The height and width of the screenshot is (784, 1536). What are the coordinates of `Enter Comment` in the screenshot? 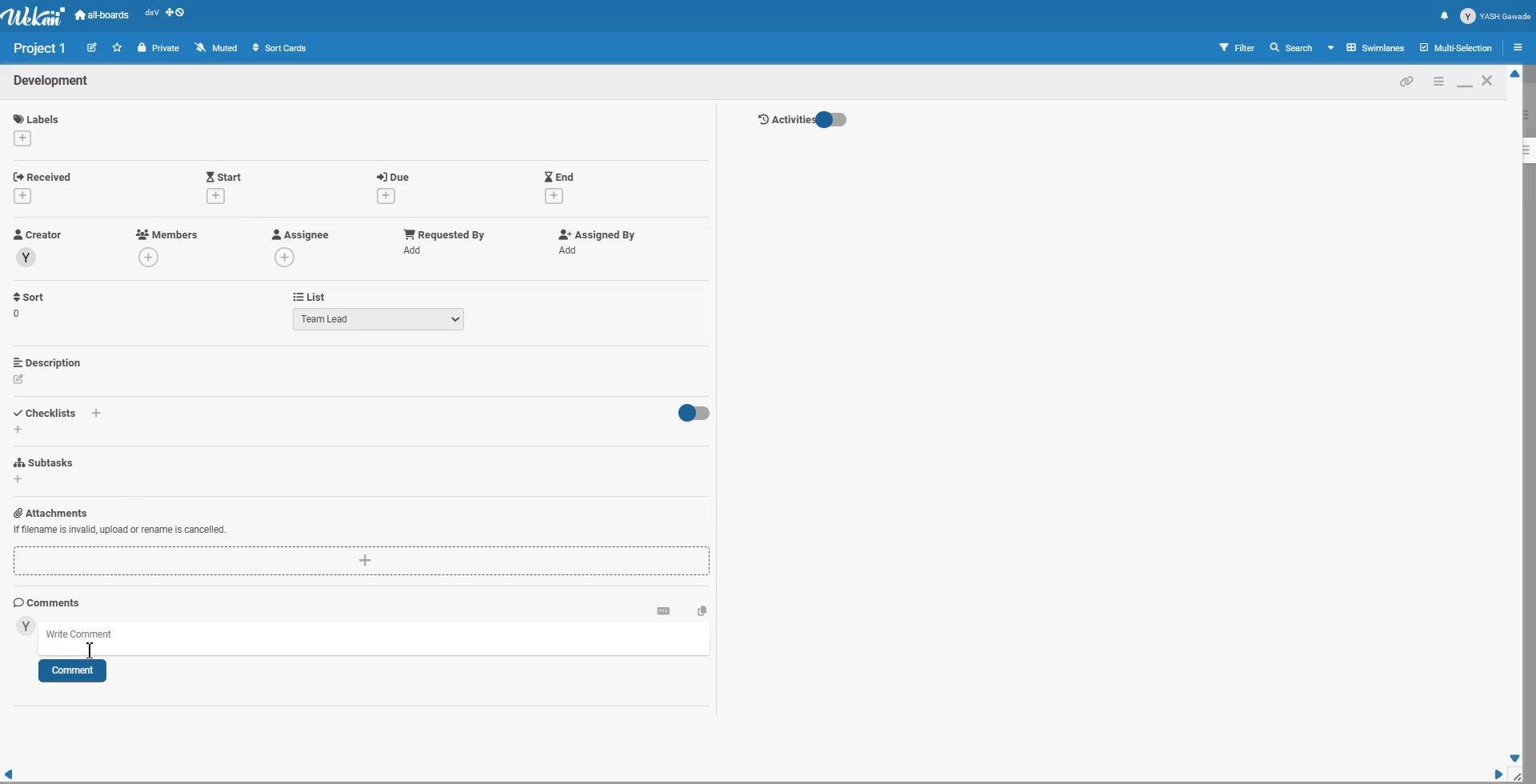 It's located at (379, 638).